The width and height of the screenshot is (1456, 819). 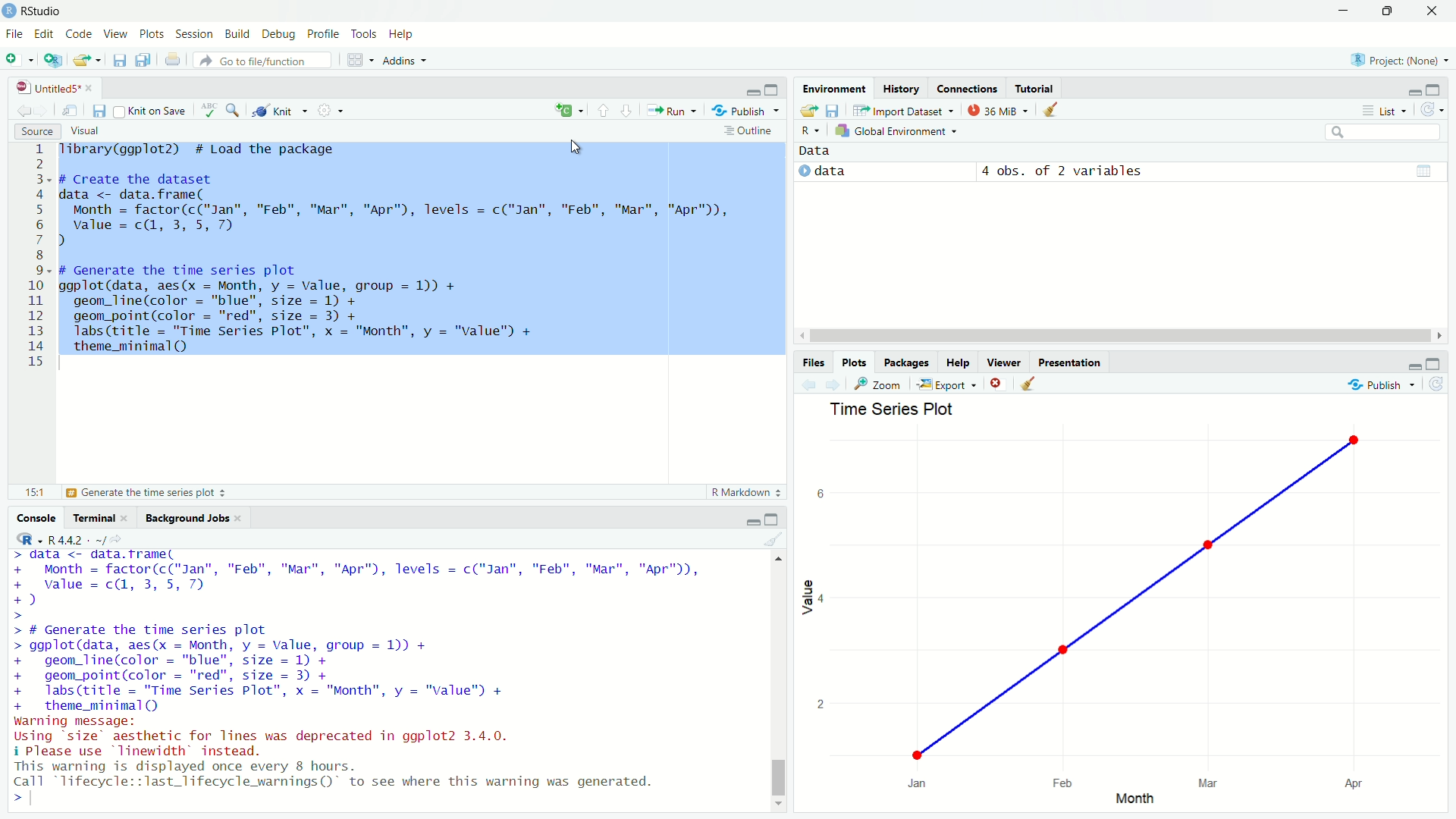 What do you see at coordinates (569, 110) in the screenshot?
I see `insert a new code chunk` at bounding box center [569, 110].